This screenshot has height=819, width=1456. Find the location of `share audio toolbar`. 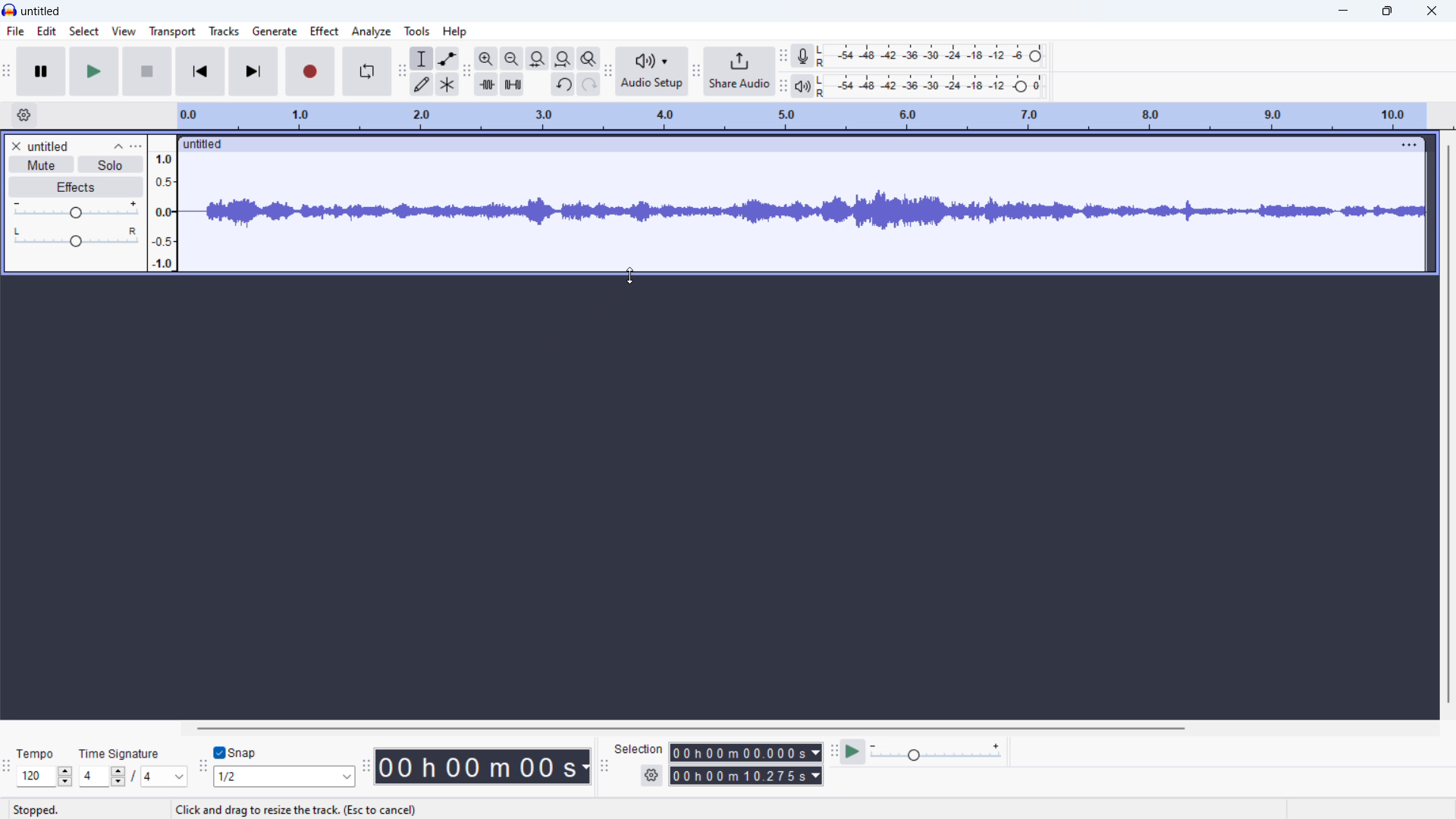

share audio toolbar is located at coordinates (608, 74).